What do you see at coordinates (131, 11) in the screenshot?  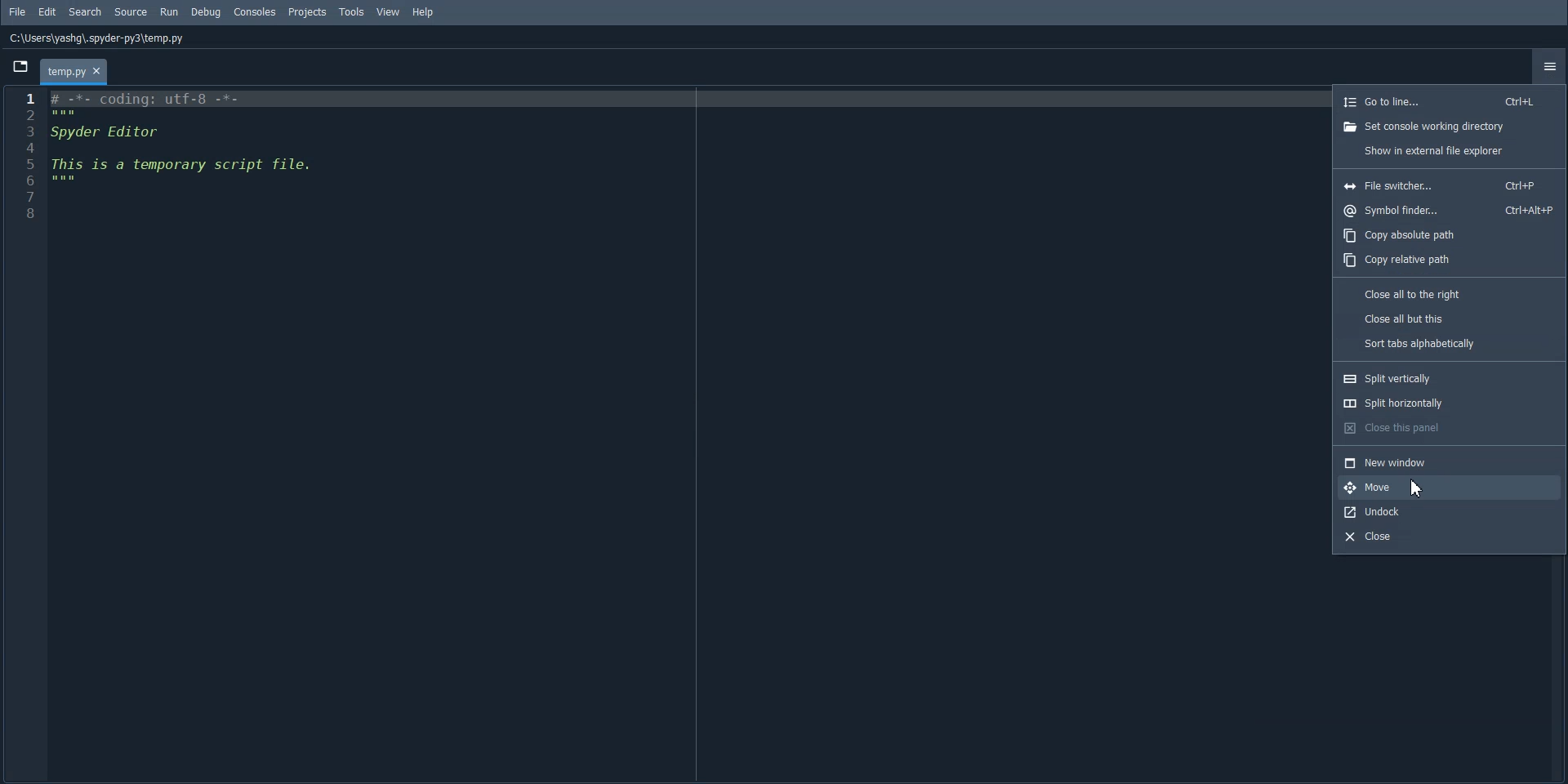 I see `Source` at bounding box center [131, 11].